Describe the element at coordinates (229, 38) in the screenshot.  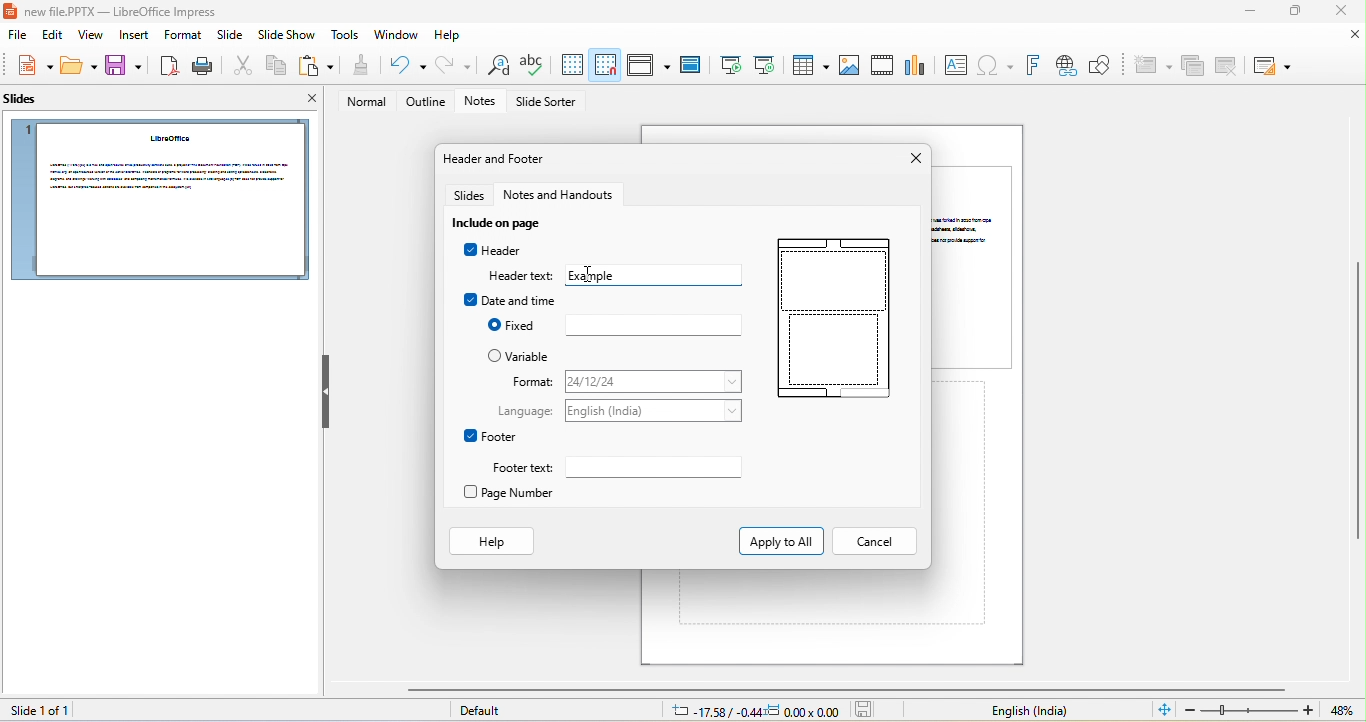
I see `slide` at that location.